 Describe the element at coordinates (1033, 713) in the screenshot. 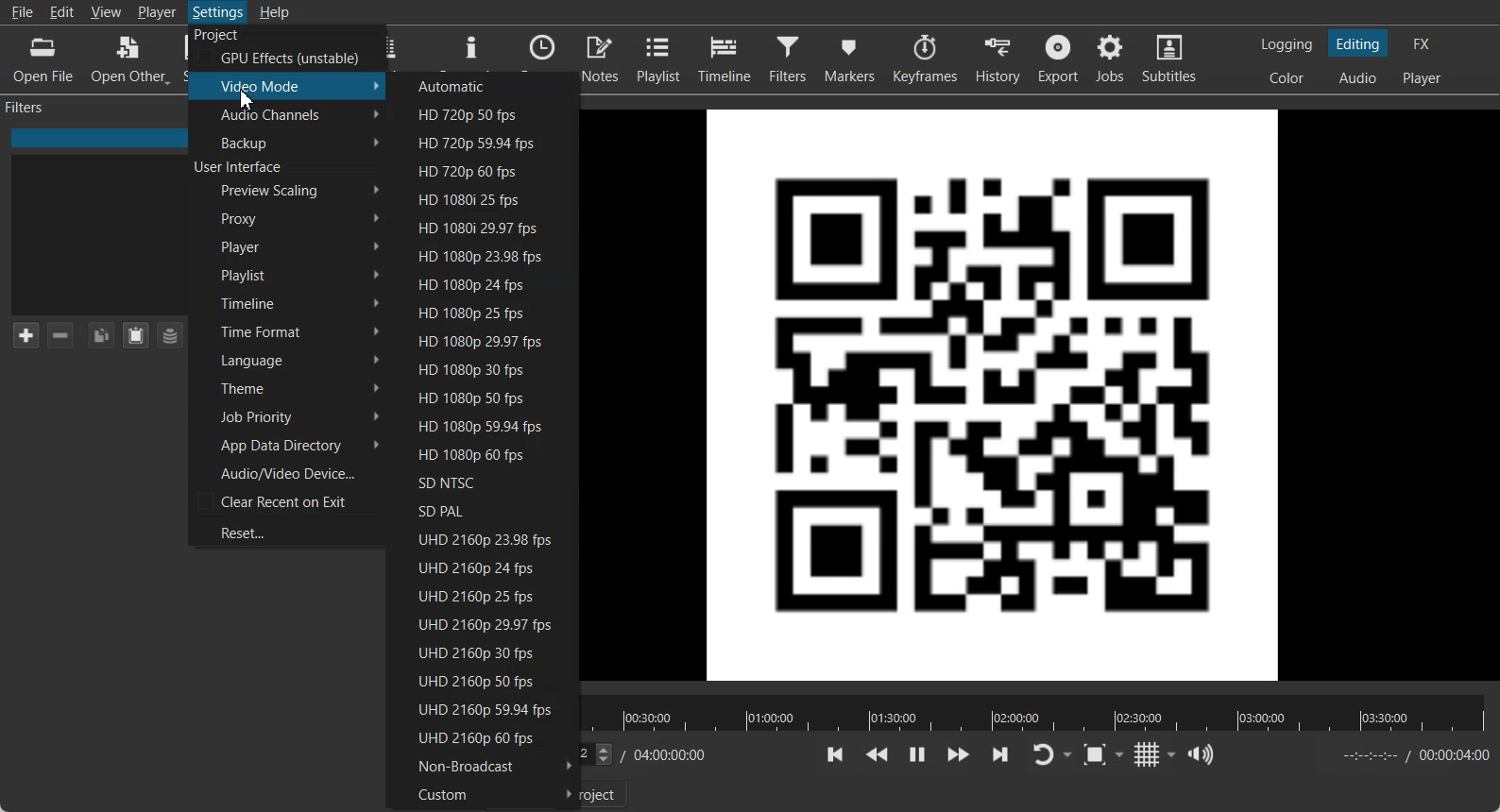

I see `Video slider` at that location.